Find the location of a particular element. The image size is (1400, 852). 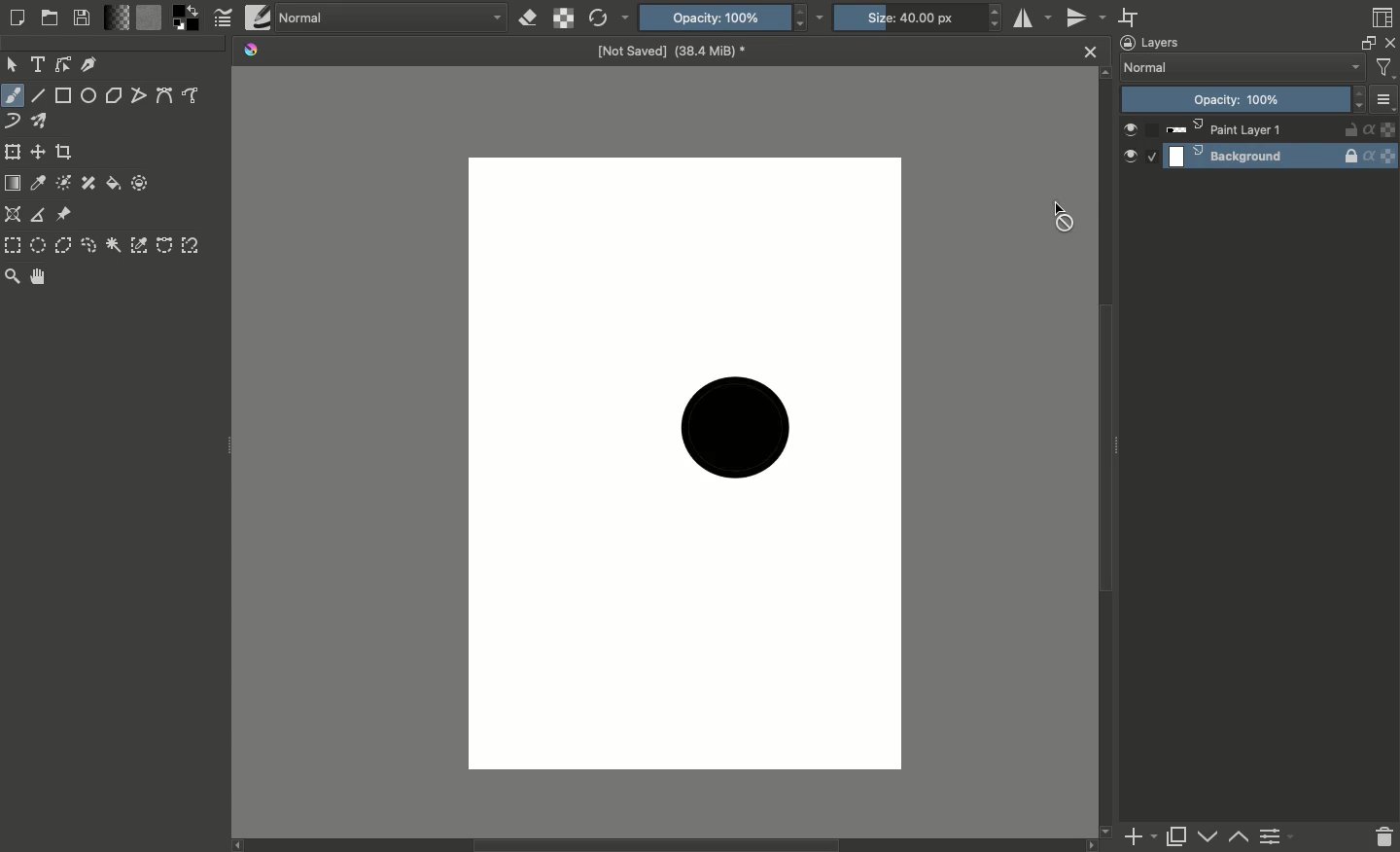

Normal is located at coordinates (392, 17).